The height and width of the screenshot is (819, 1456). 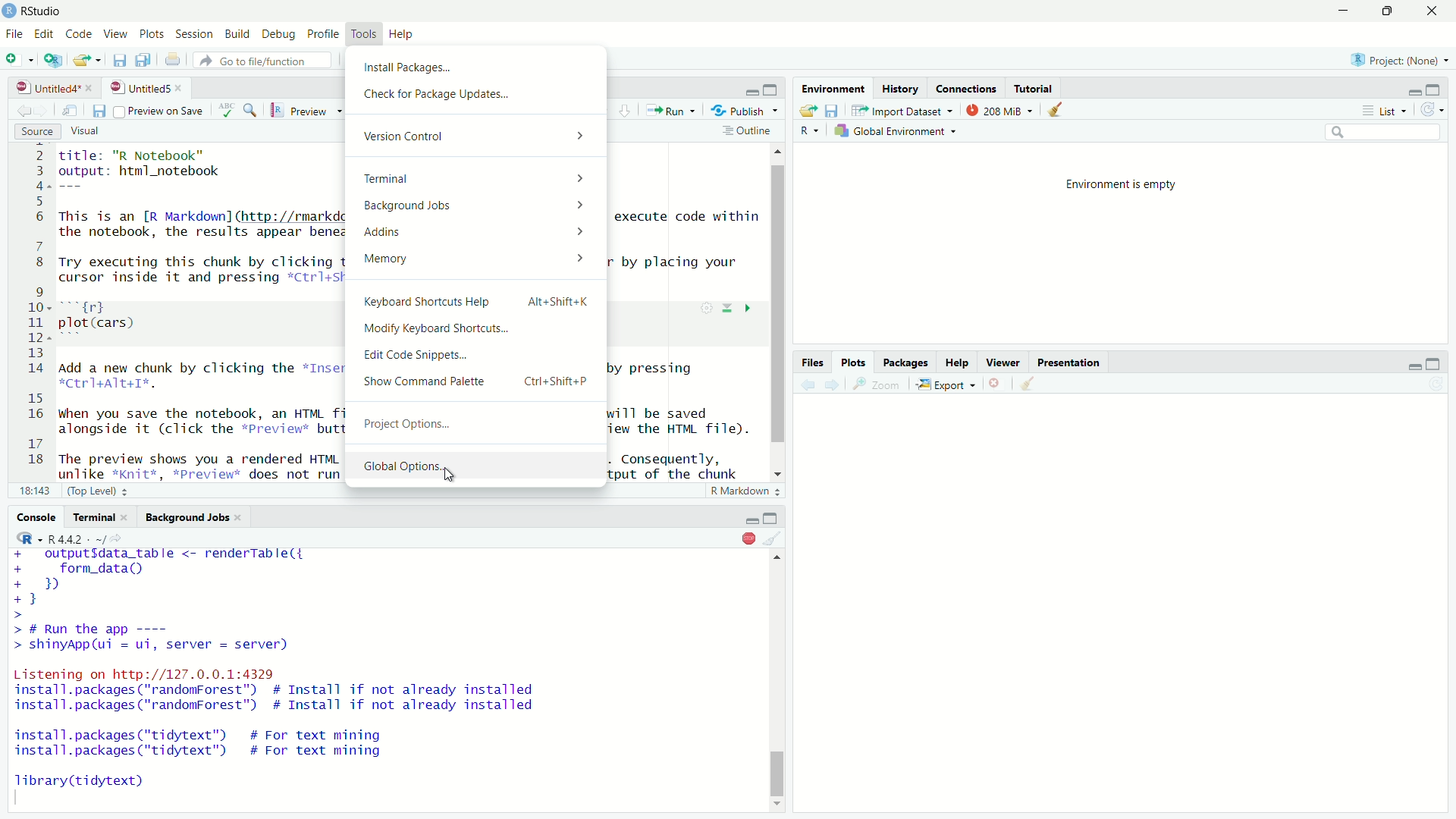 What do you see at coordinates (1036, 88) in the screenshot?
I see `Tutorial` at bounding box center [1036, 88].